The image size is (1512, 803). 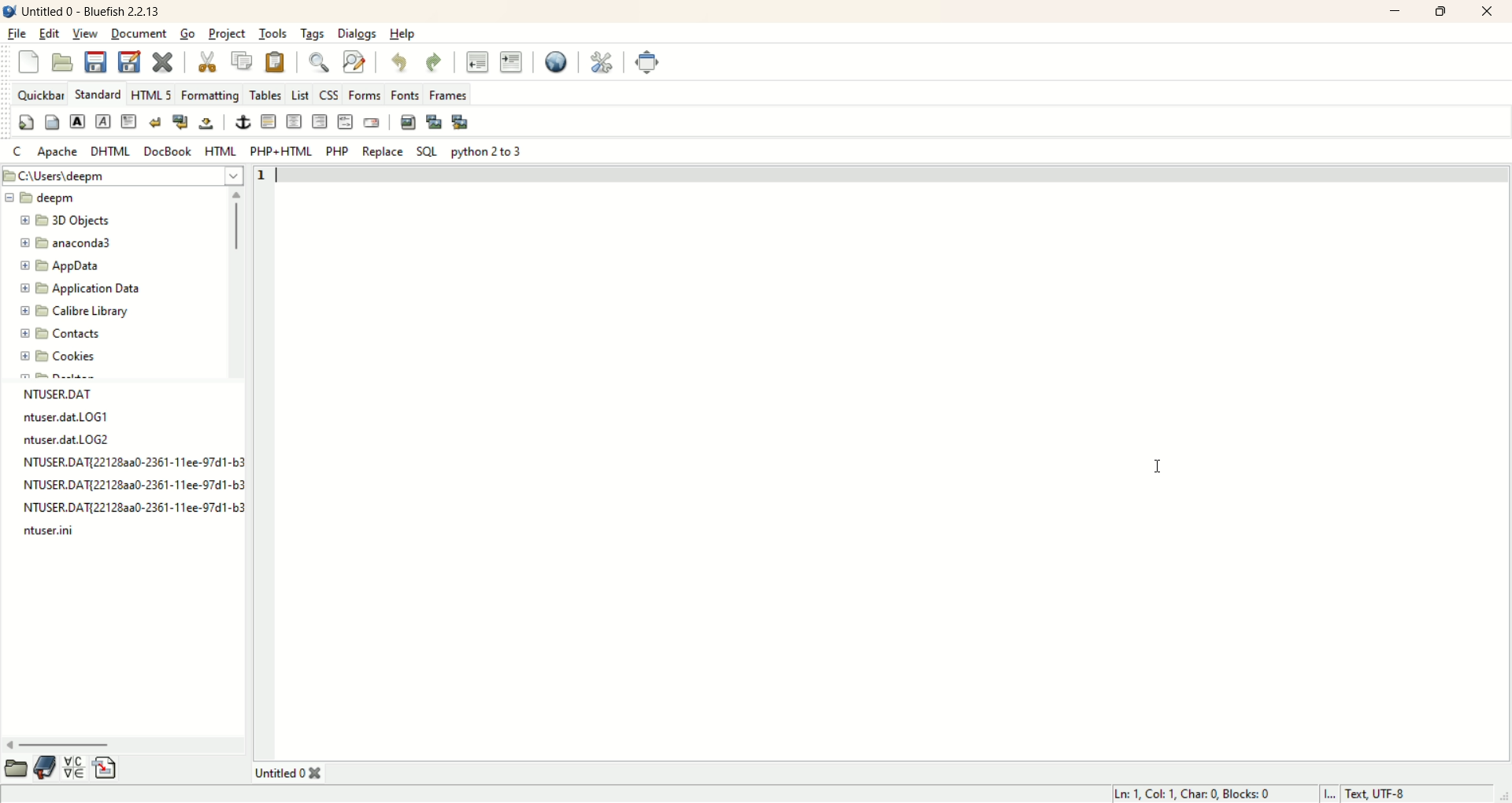 I want to click on SQL, so click(x=426, y=151).